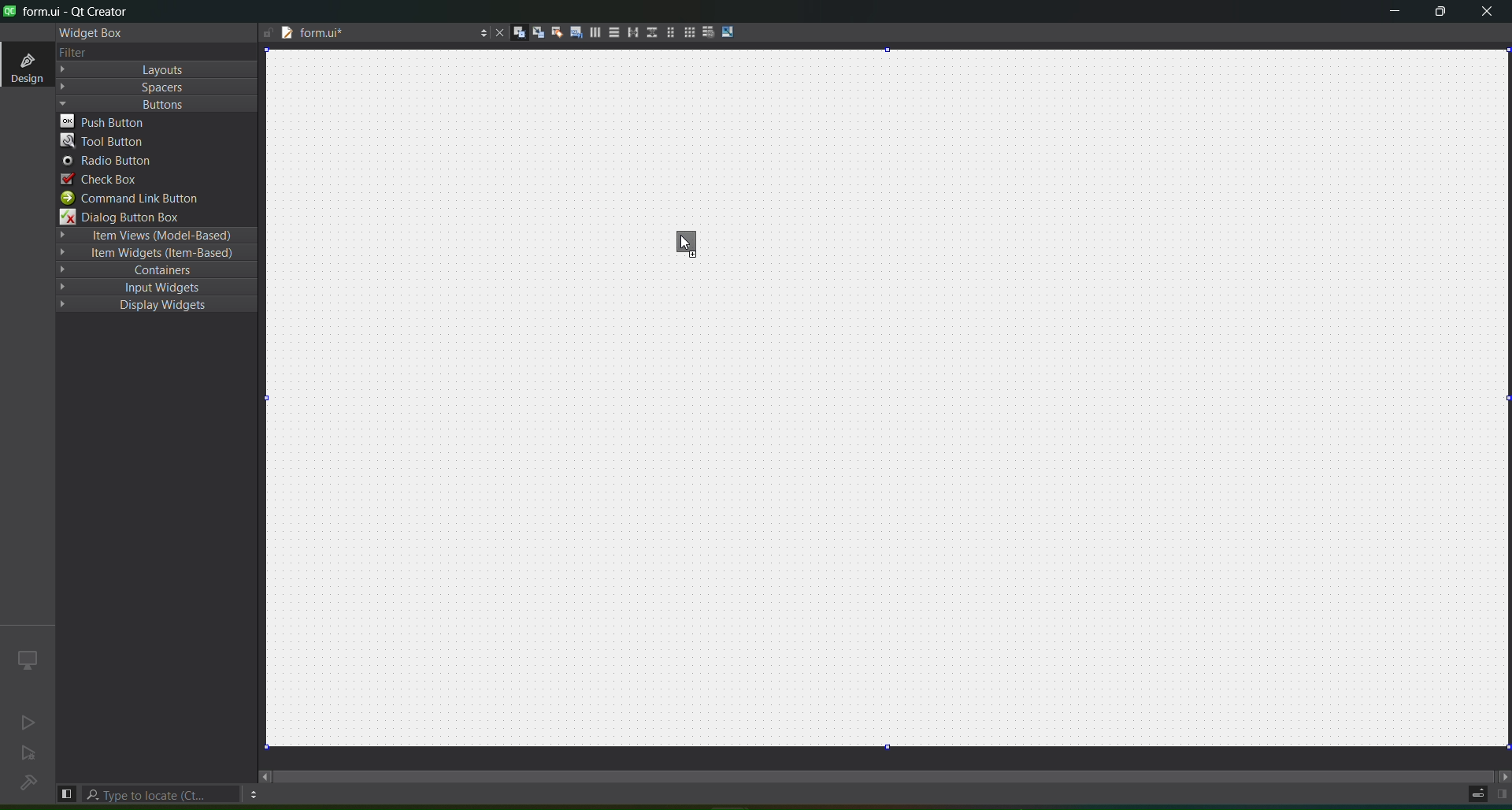 This screenshot has height=810, width=1512. Describe the element at coordinates (690, 246) in the screenshot. I see `toolbar button ` at that location.